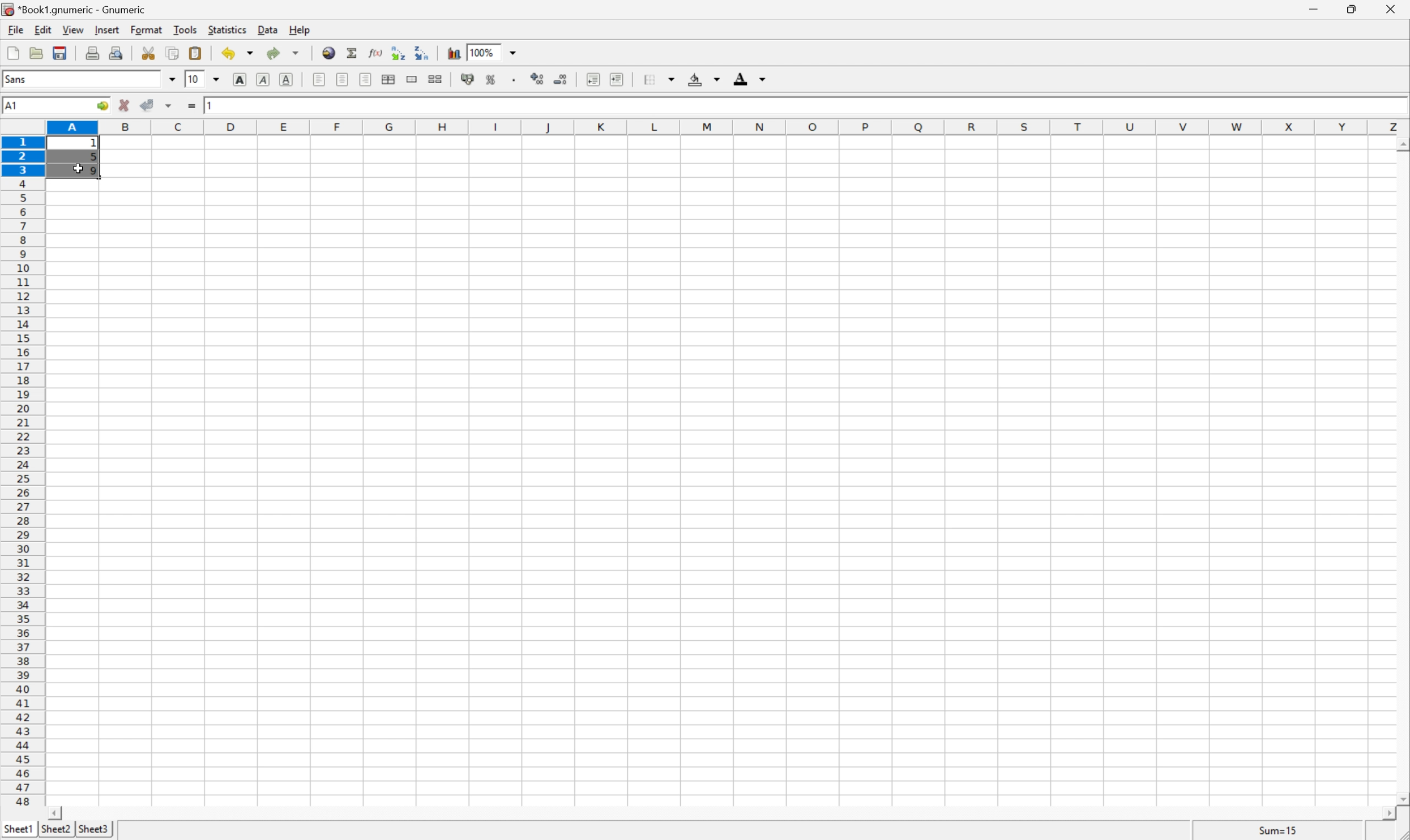 The image size is (1410, 840). Describe the element at coordinates (172, 53) in the screenshot. I see `copy` at that location.